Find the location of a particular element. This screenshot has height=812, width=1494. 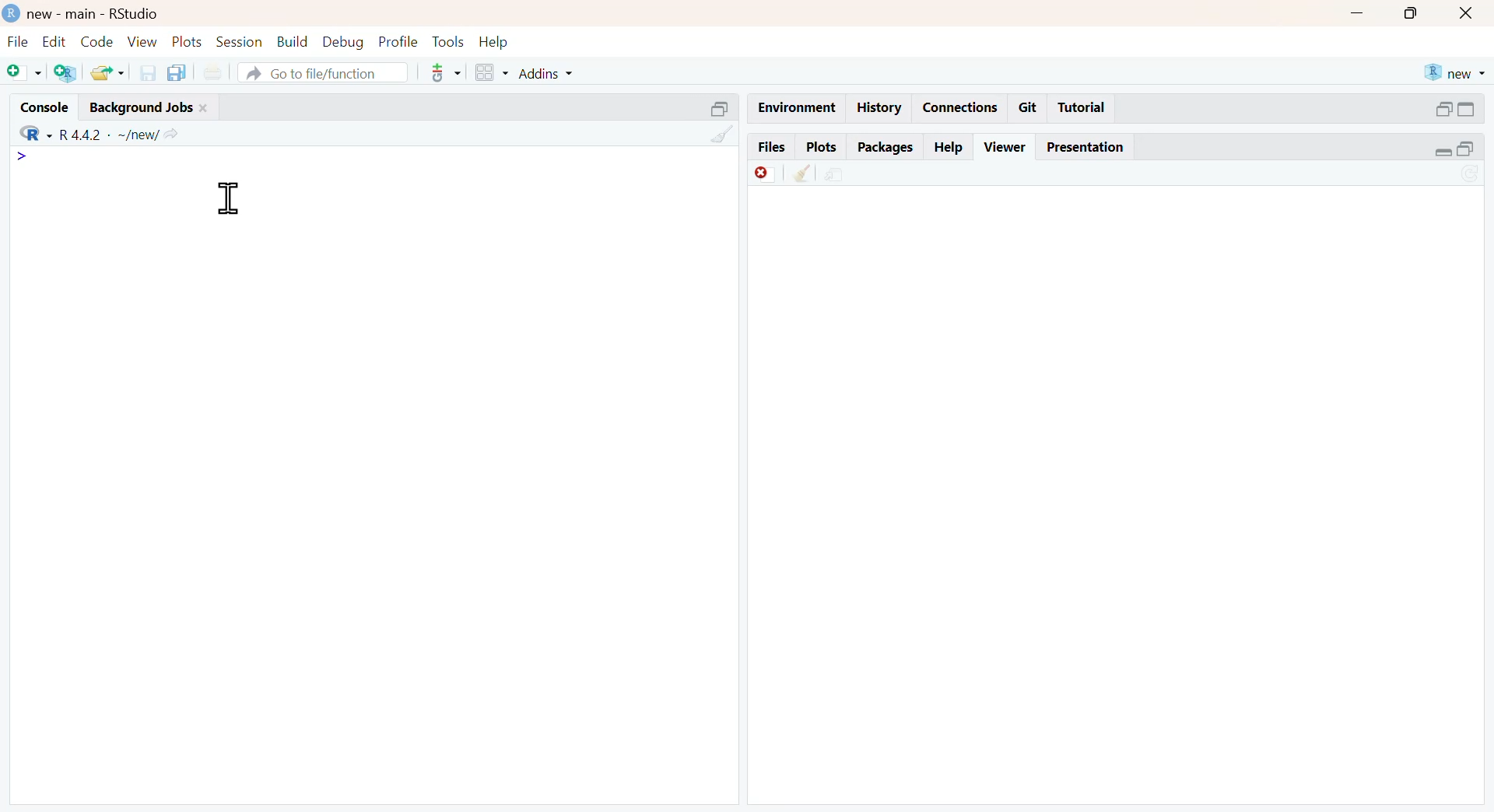

files is located at coordinates (773, 145).